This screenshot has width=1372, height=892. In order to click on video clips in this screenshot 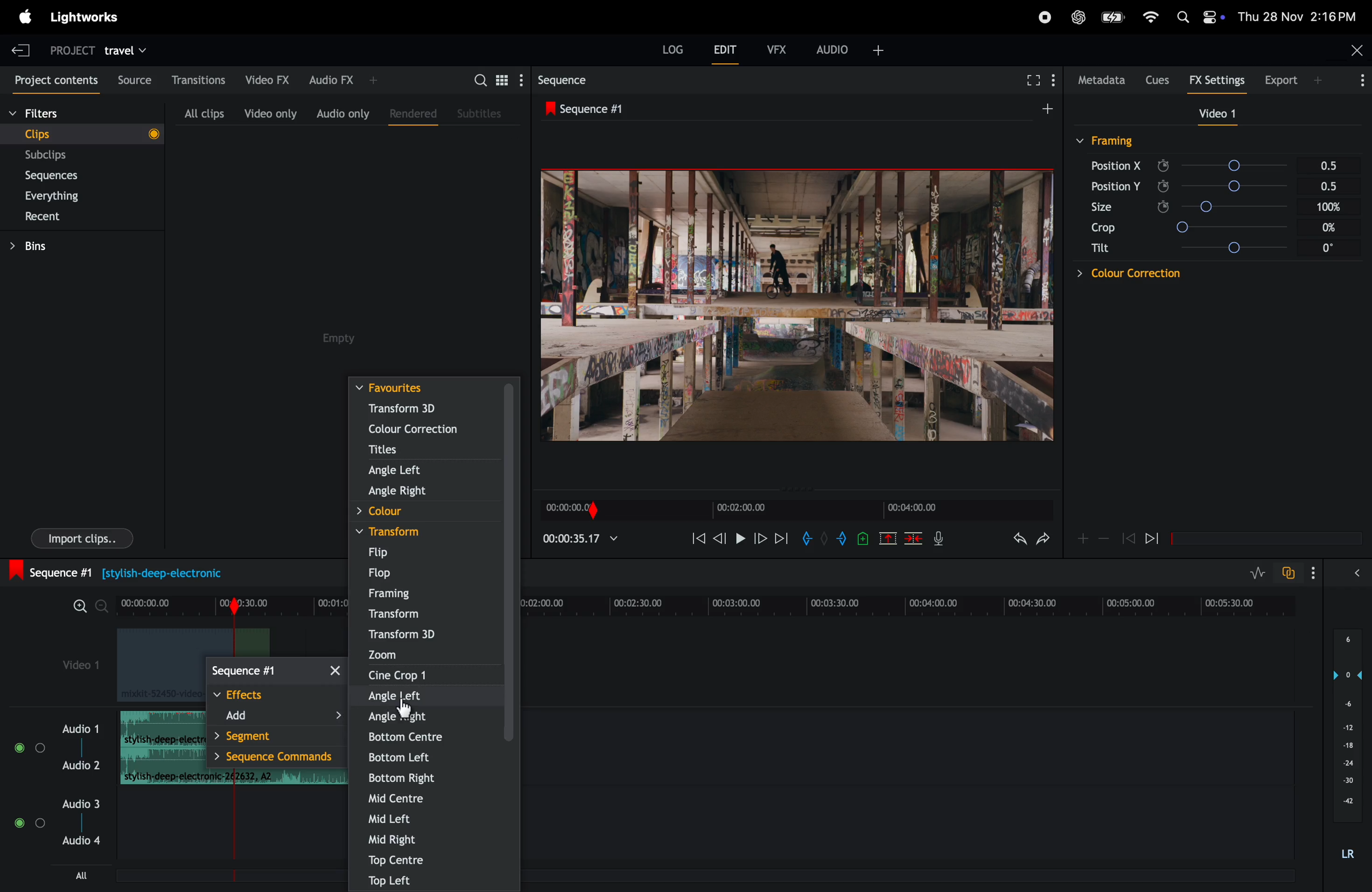, I will do `click(153, 665)`.